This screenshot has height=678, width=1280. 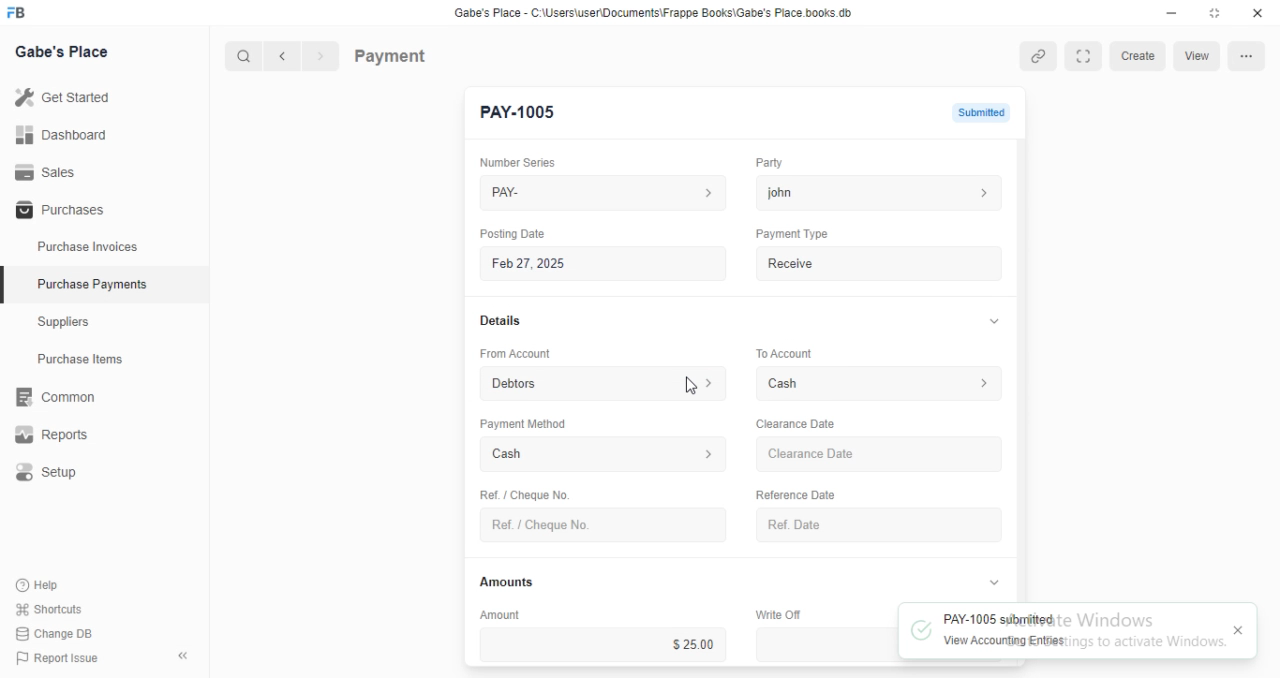 What do you see at coordinates (91, 284) in the screenshot?
I see `Purchase Payments` at bounding box center [91, 284].